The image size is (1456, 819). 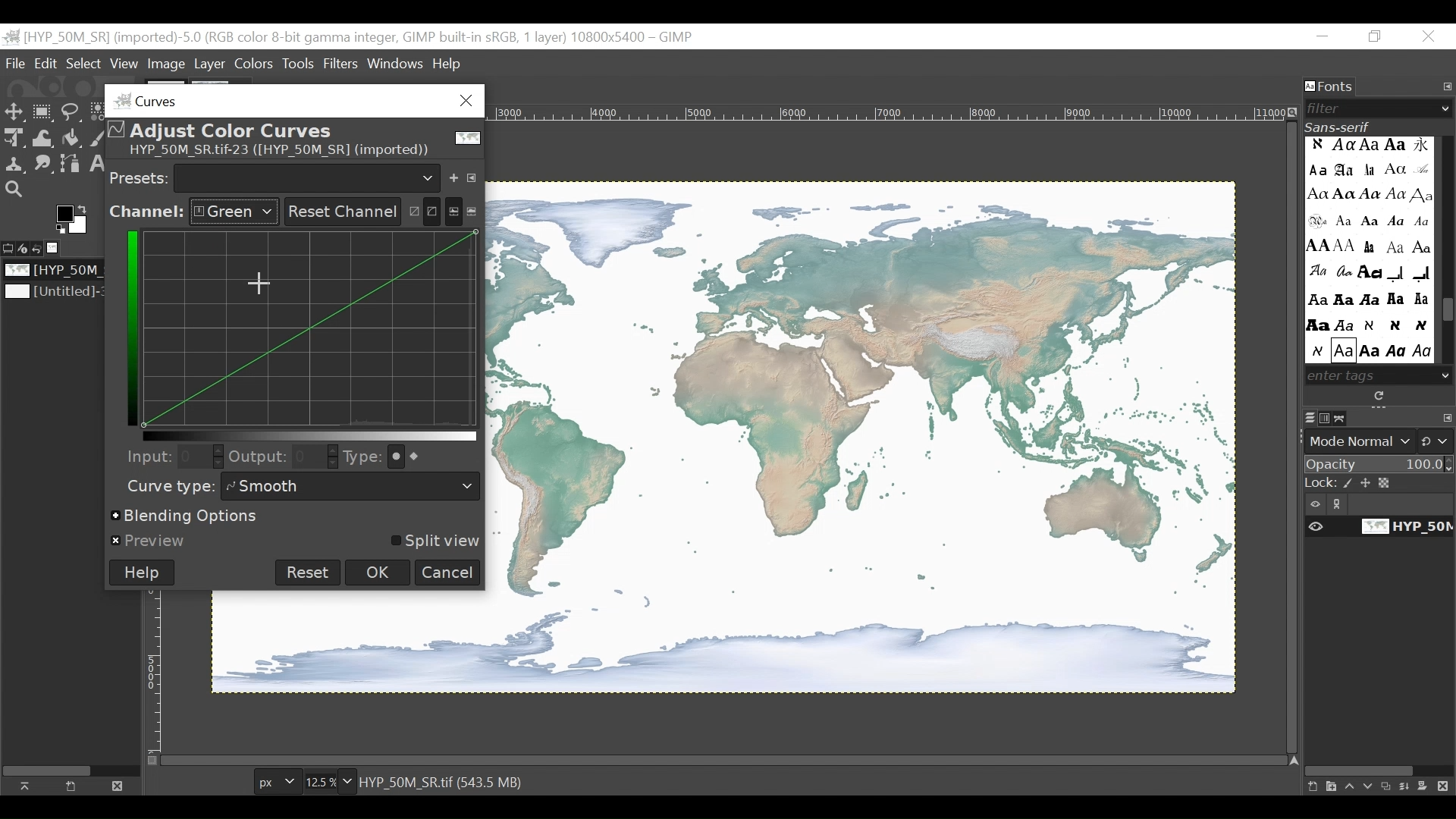 What do you see at coordinates (1429, 37) in the screenshot?
I see `Close` at bounding box center [1429, 37].